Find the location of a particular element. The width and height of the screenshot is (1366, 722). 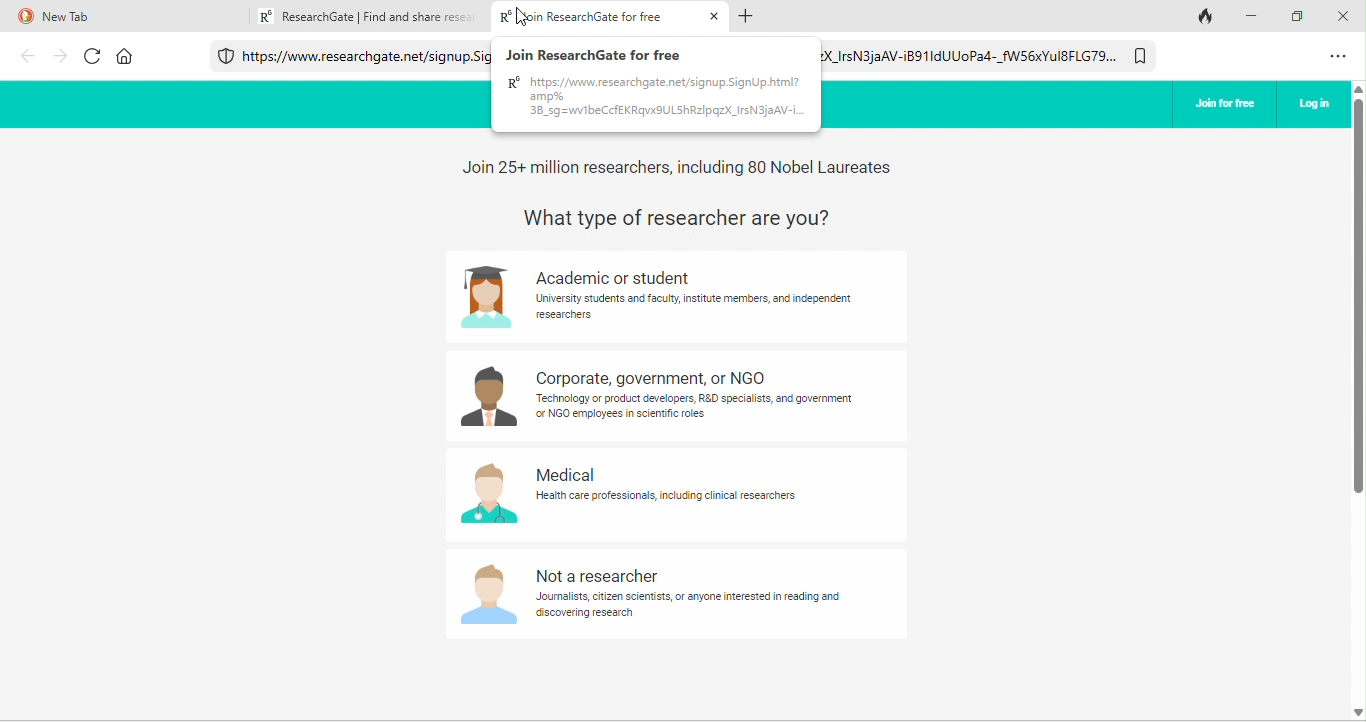

vertical scroll bar is located at coordinates (1357, 298).